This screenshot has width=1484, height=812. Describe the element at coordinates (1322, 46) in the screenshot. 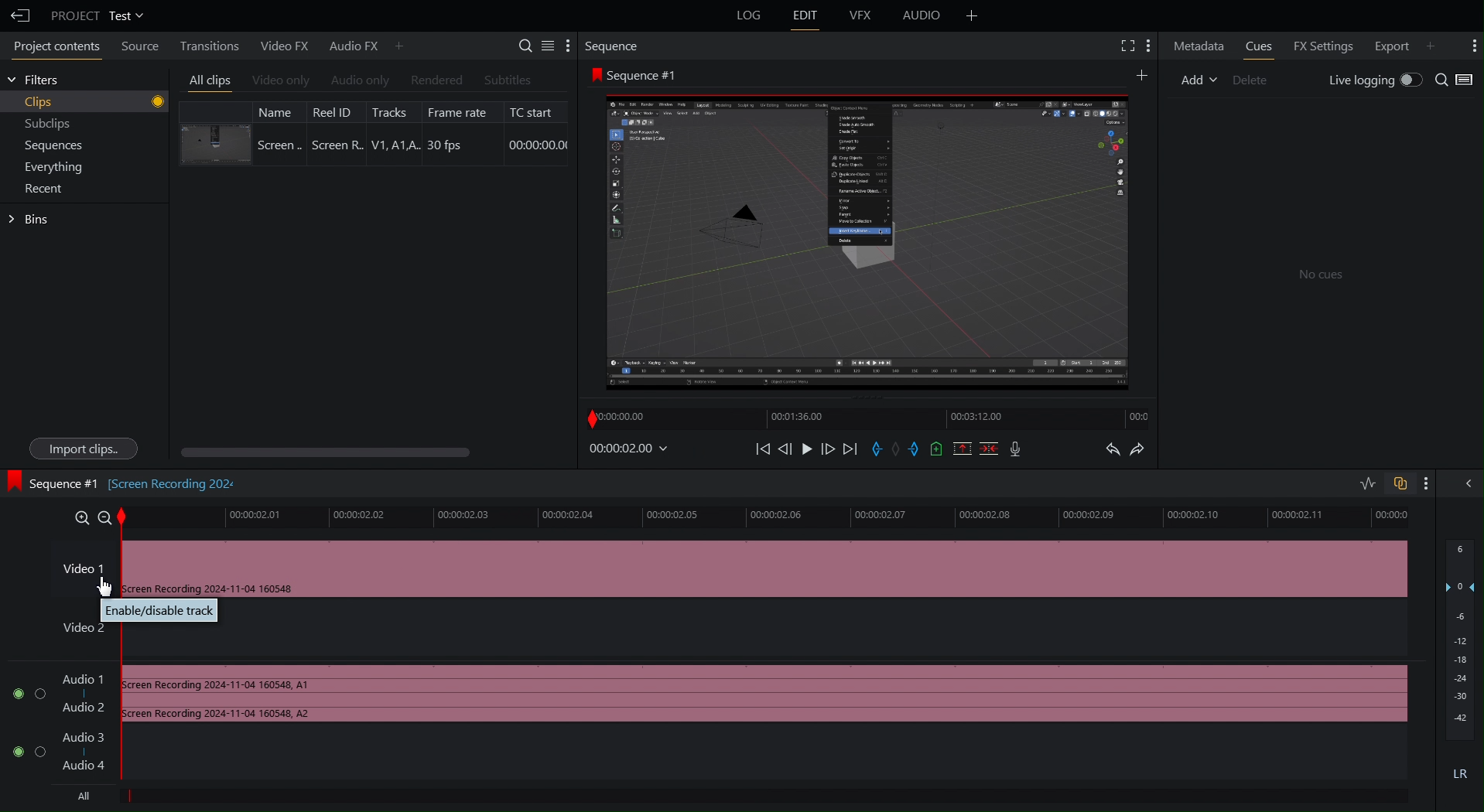

I see `FX Settings` at that location.